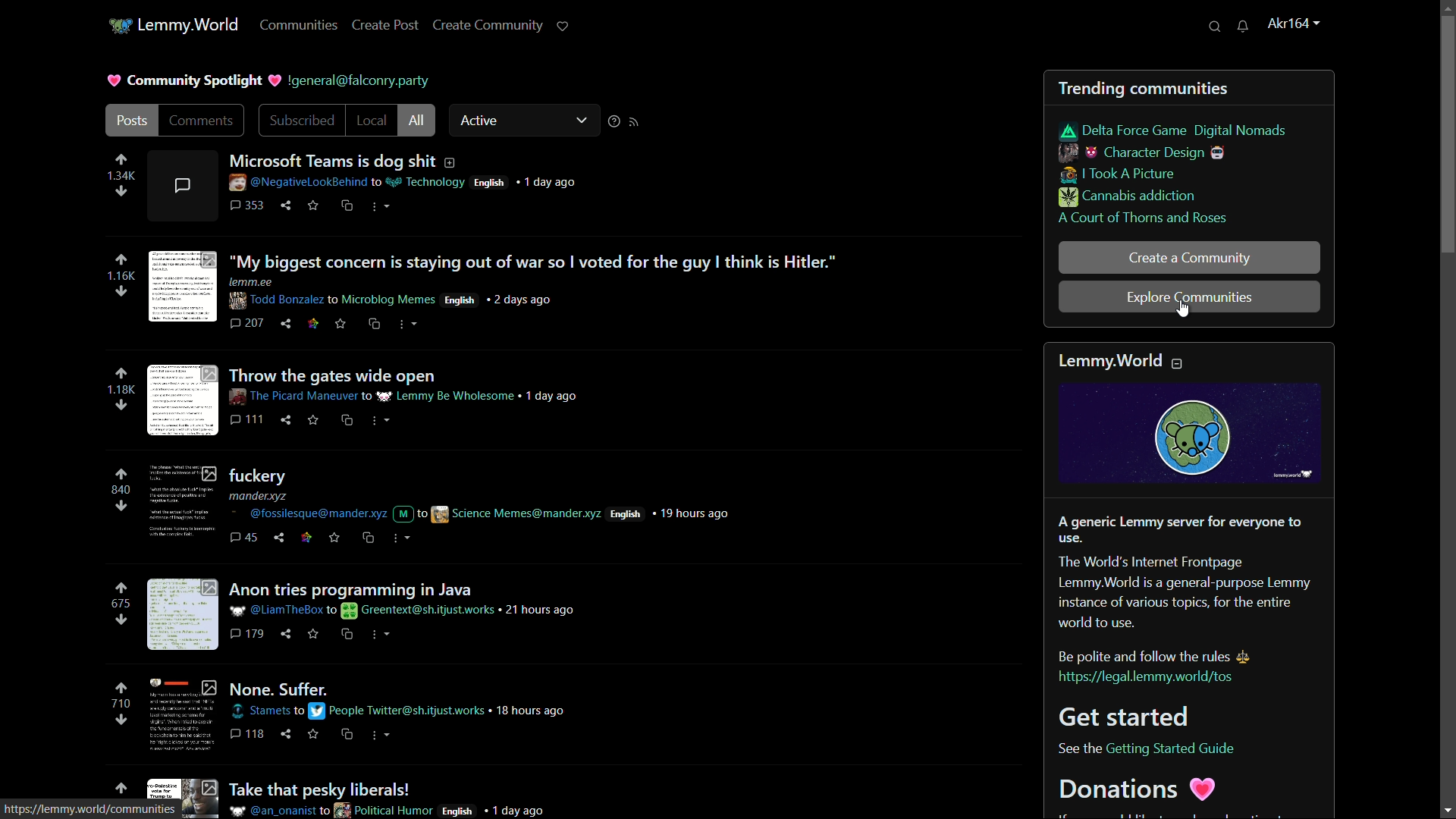 The height and width of the screenshot is (819, 1456). What do you see at coordinates (286, 634) in the screenshot?
I see `share` at bounding box center [286, 634].